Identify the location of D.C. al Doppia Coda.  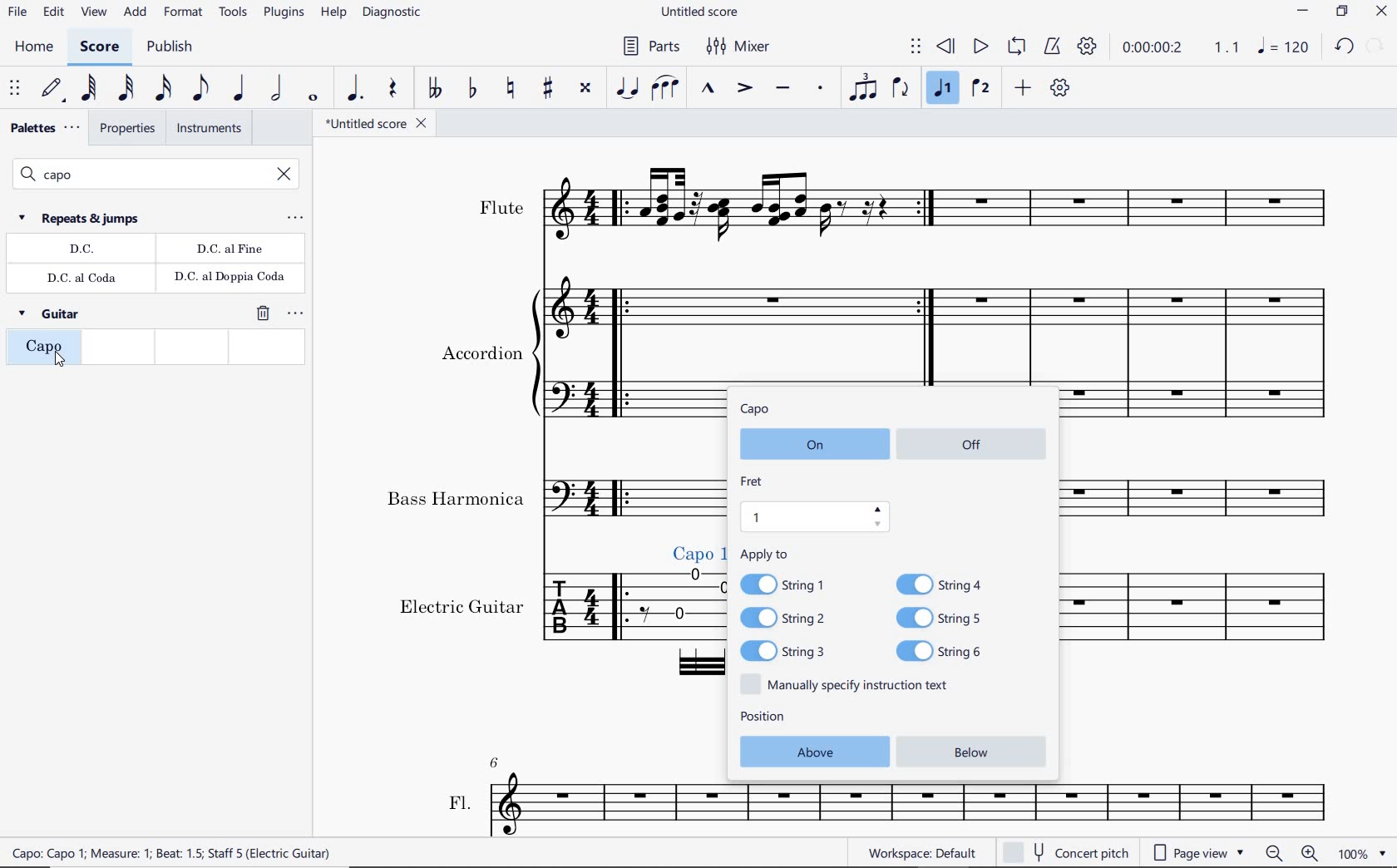
(229, 279).